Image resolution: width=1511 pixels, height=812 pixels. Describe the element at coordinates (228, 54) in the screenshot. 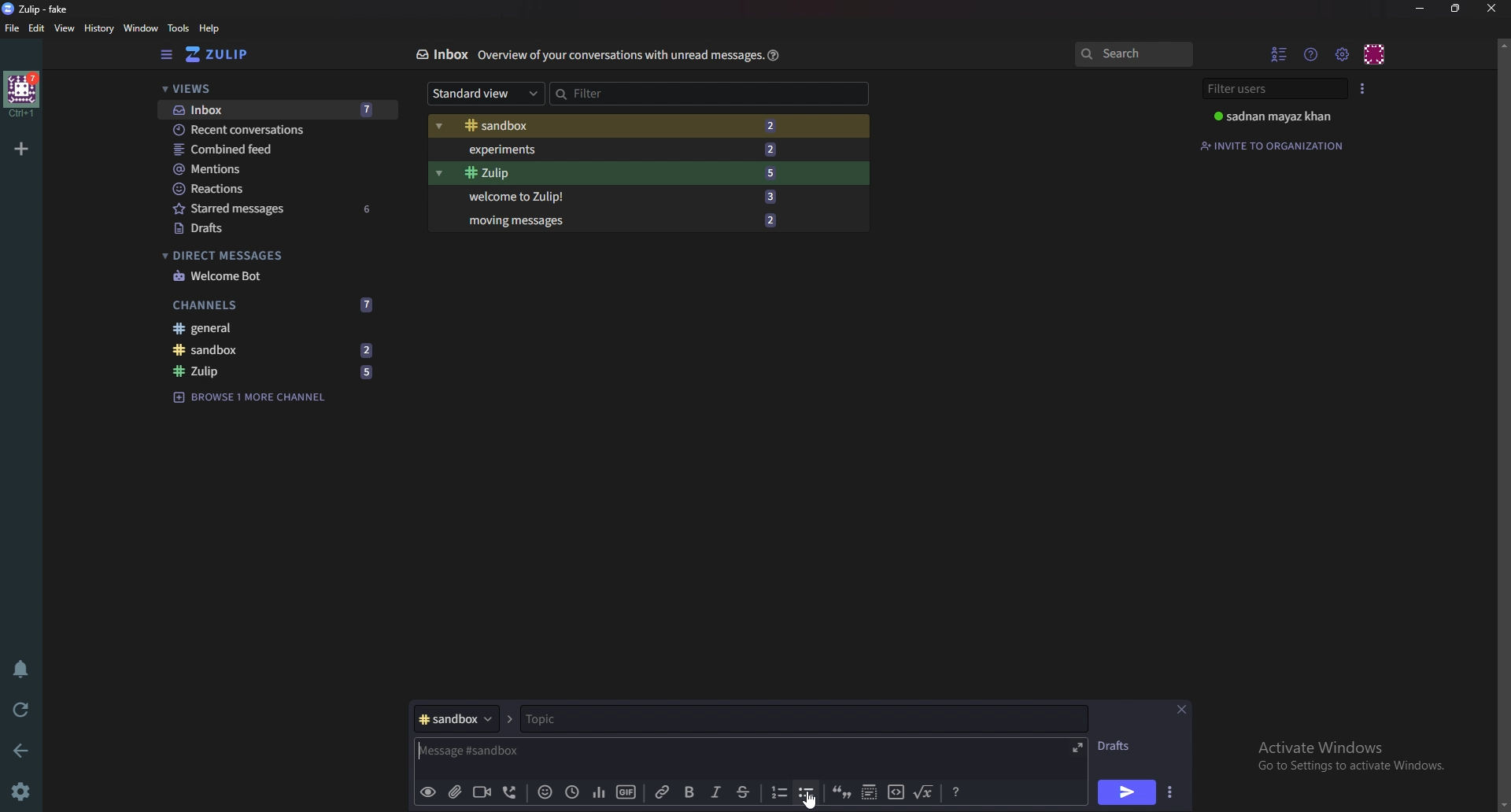

I see `Home view` at that location.